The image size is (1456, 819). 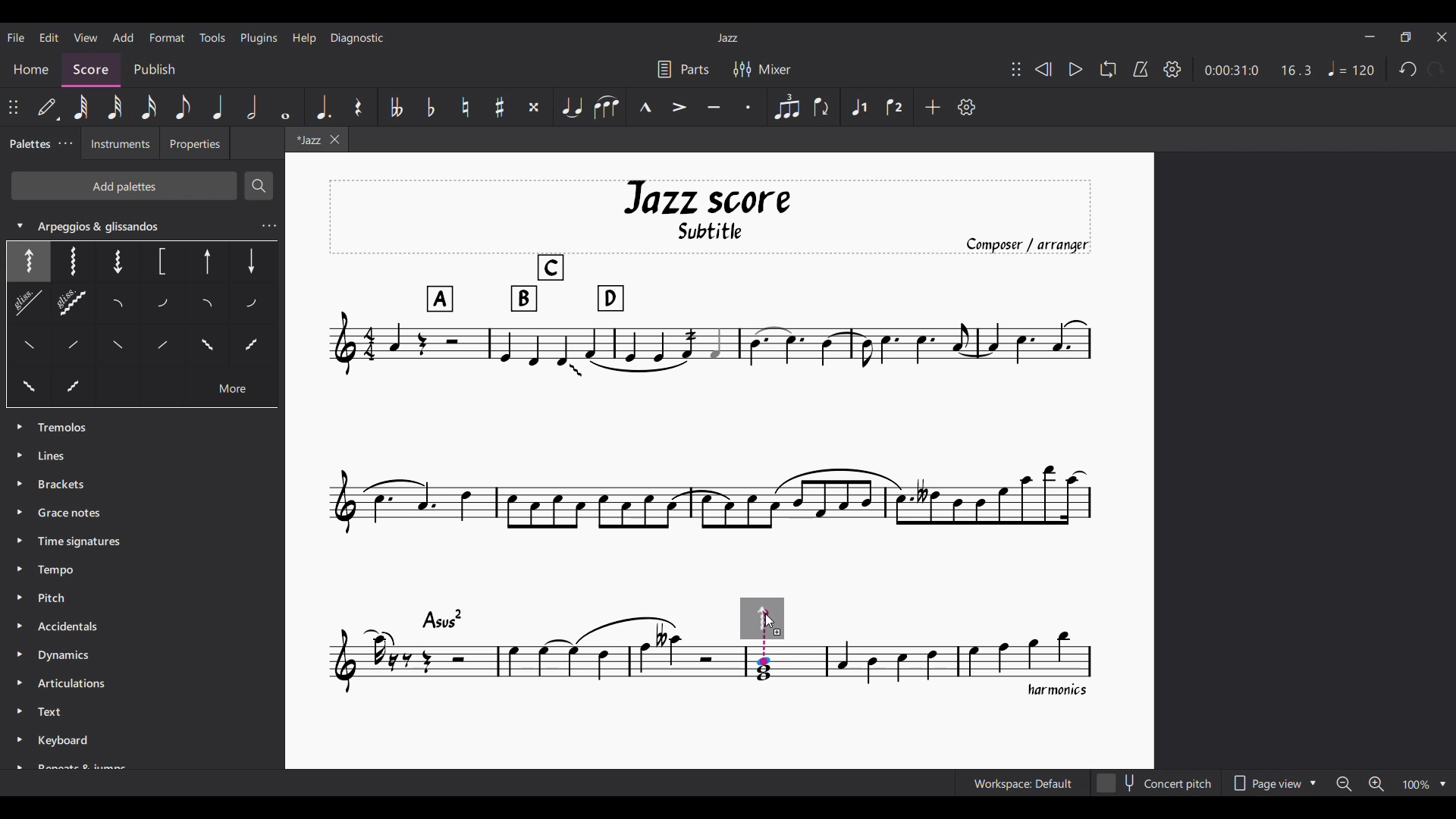 I want to click on , so click(x=72, y=301).